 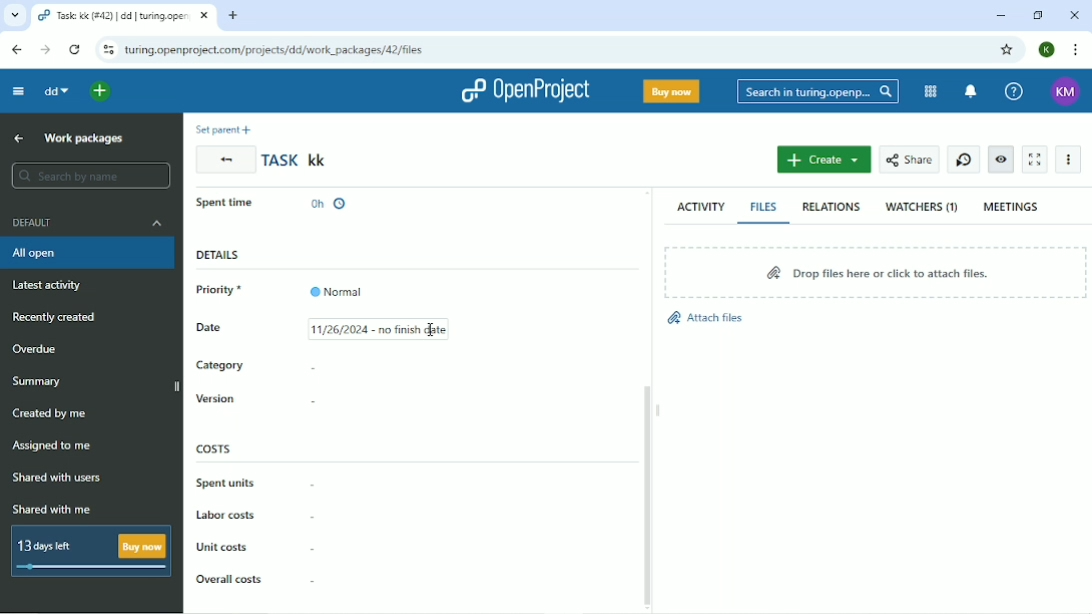 I want to click on Customize and control google chrome, so click(x=1074, y=50).